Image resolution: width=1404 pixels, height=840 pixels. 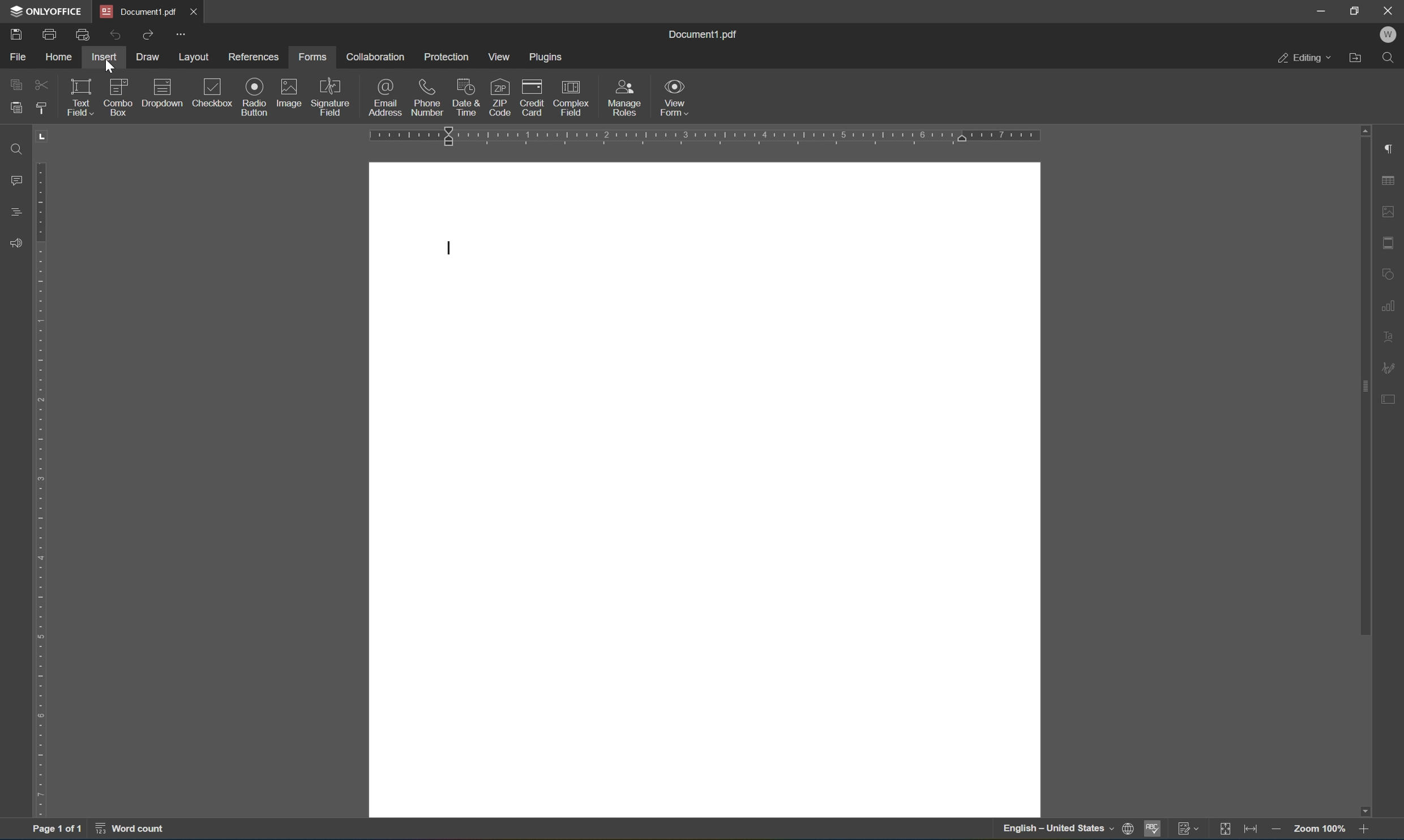 What do you see at coordinates (1392, 149) in the screenshot?
I see `paragraph settings` at bounding box center [1392, 149].